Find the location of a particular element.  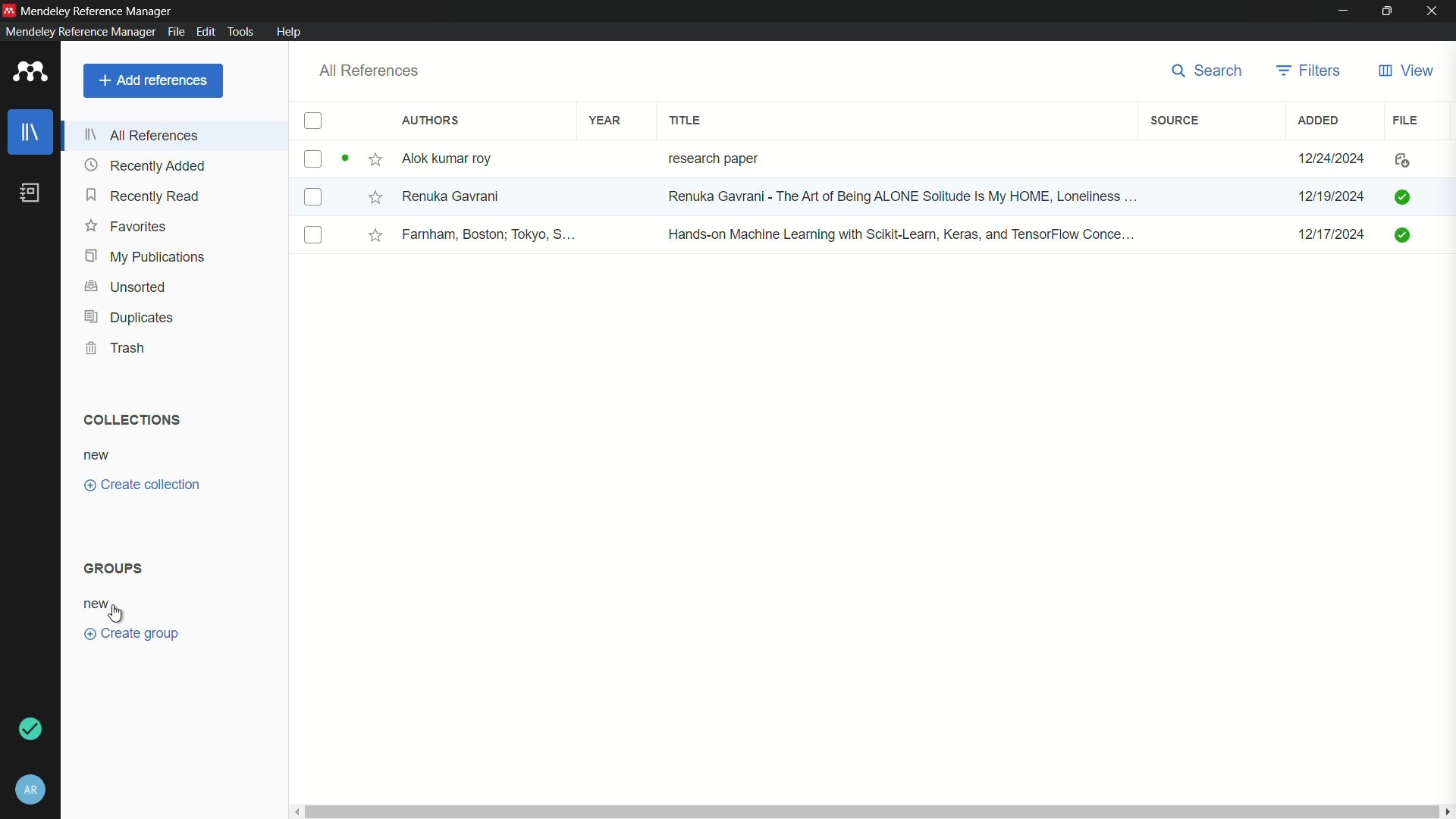

collections is located at coordinates (128, 419).